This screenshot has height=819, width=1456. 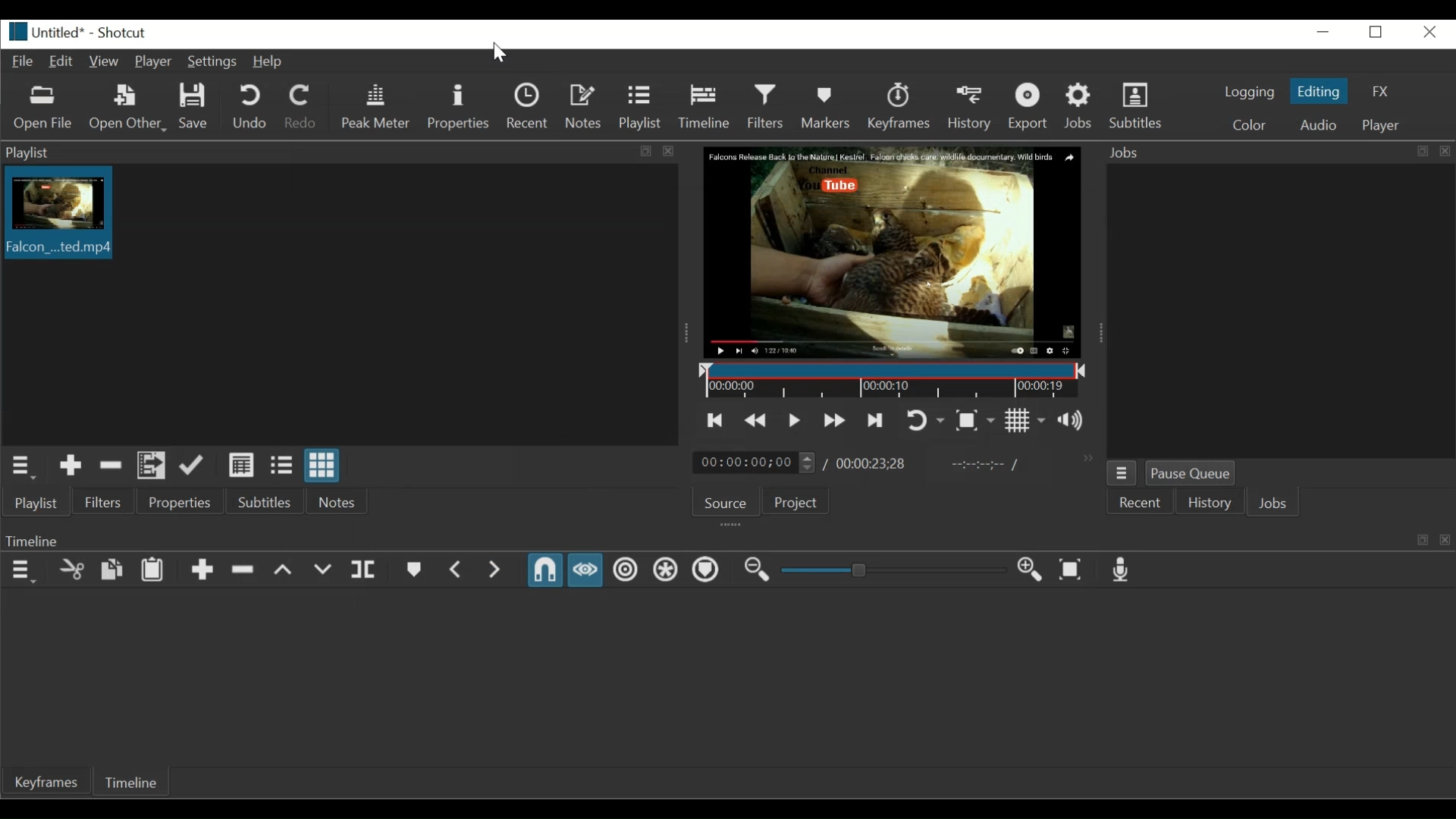 I want to click on Jobs, so click(x=1081, y=108).